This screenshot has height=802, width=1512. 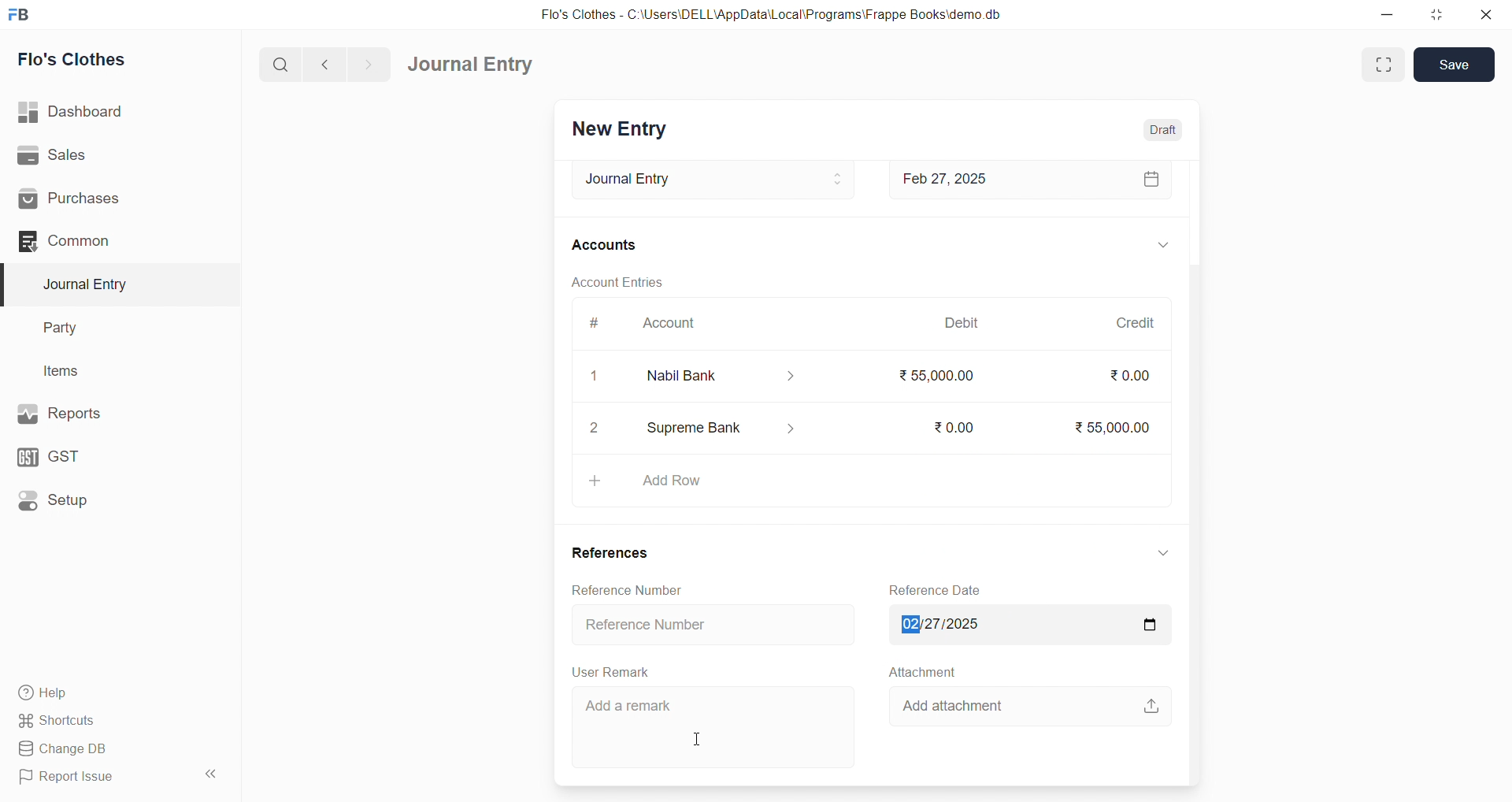 What do you see at coordinates (9, 284) in the screenshot?
I see `selected` at bounding box center [9, 284].